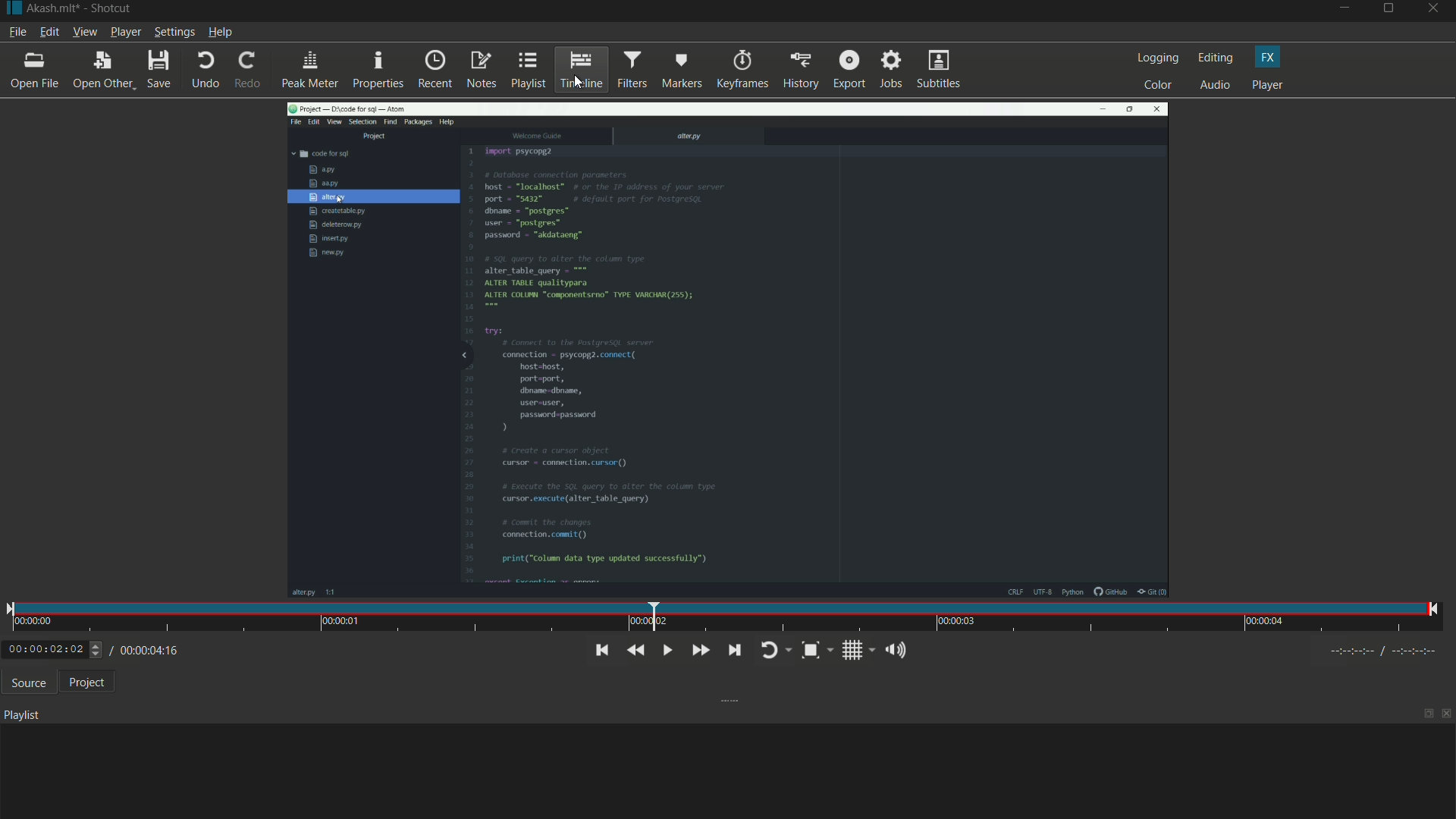 The height and width of the screenshot is (819, 1456). What do you see at coordinates (600, 651) in the screenshot?
I see `skip to the previous point` at bounding box center [600, 651].